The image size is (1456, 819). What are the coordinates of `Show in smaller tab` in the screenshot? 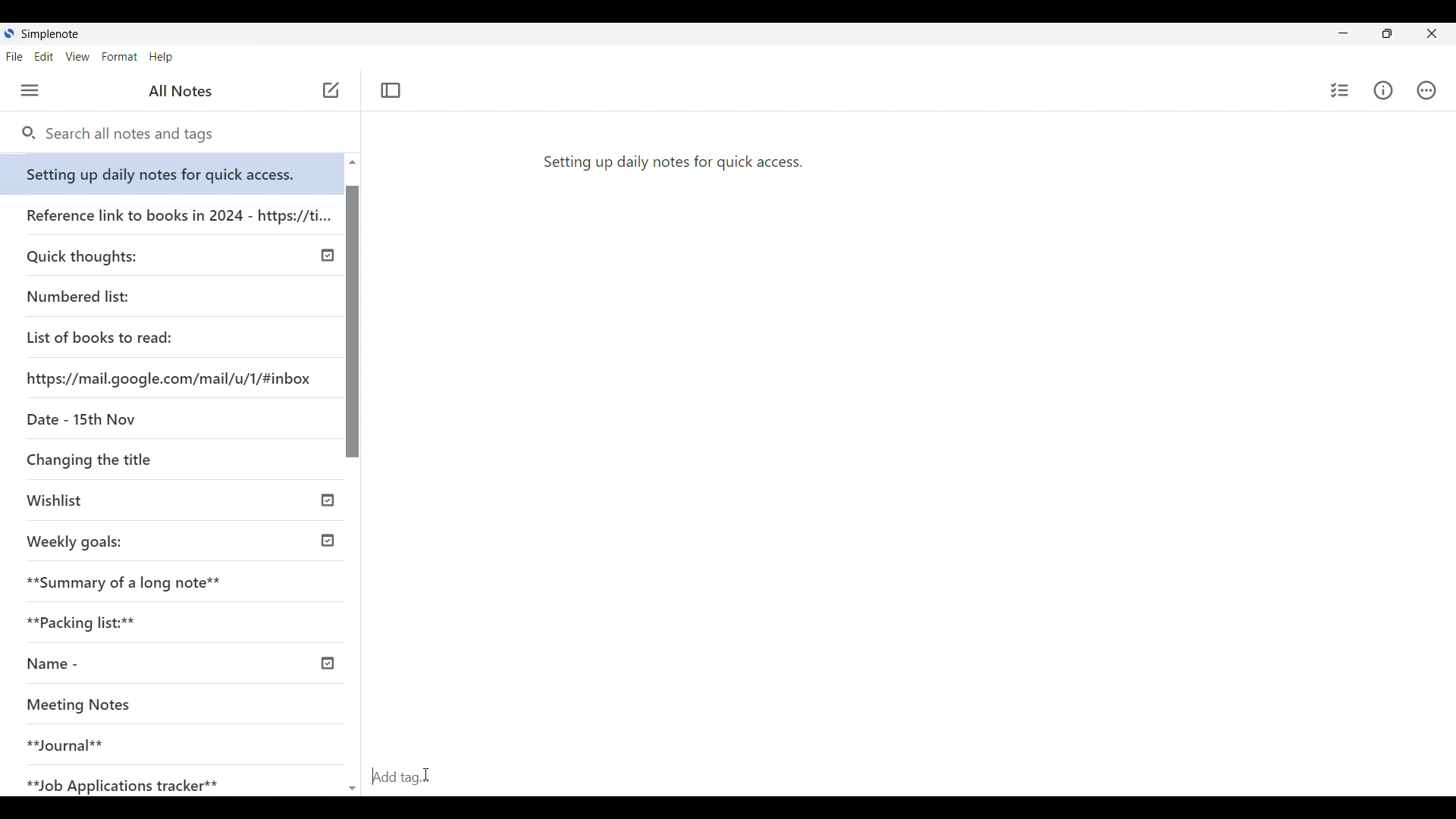 It's located at (1387, 33).